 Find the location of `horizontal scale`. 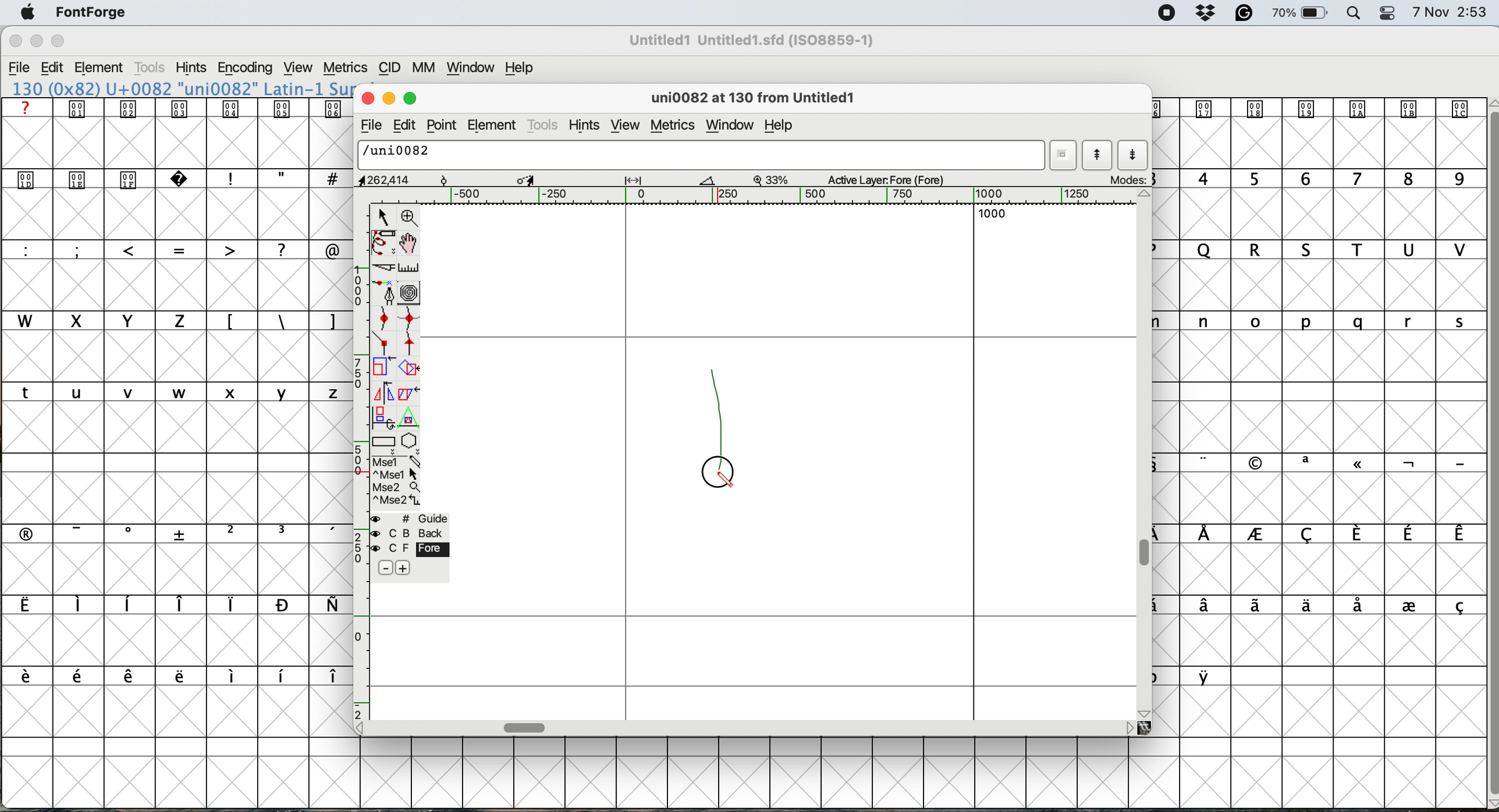

horizontal scale is located at coordinates (526, 725).